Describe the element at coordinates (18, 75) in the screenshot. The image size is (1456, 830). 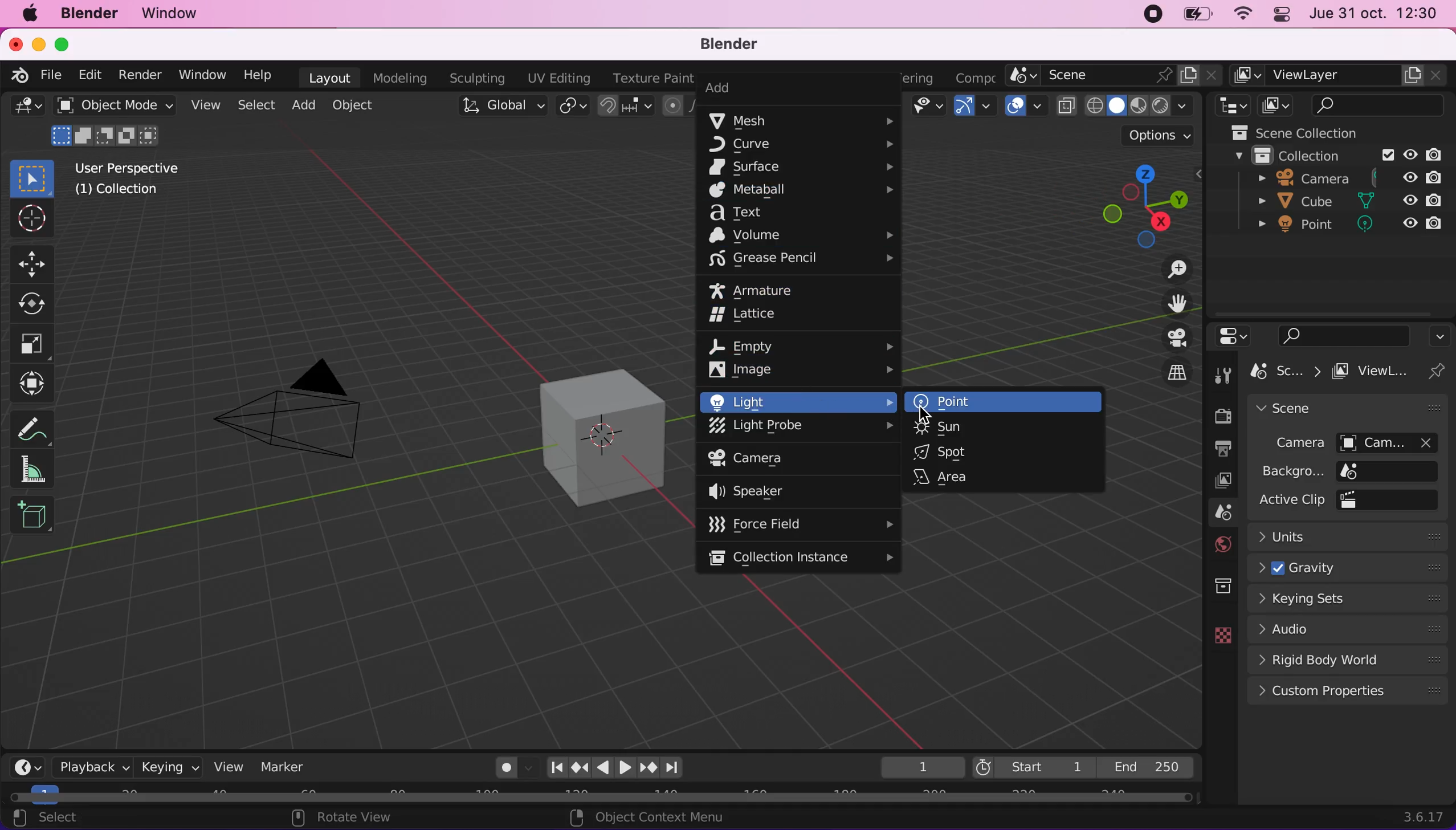
I see `blender logo` at that location.